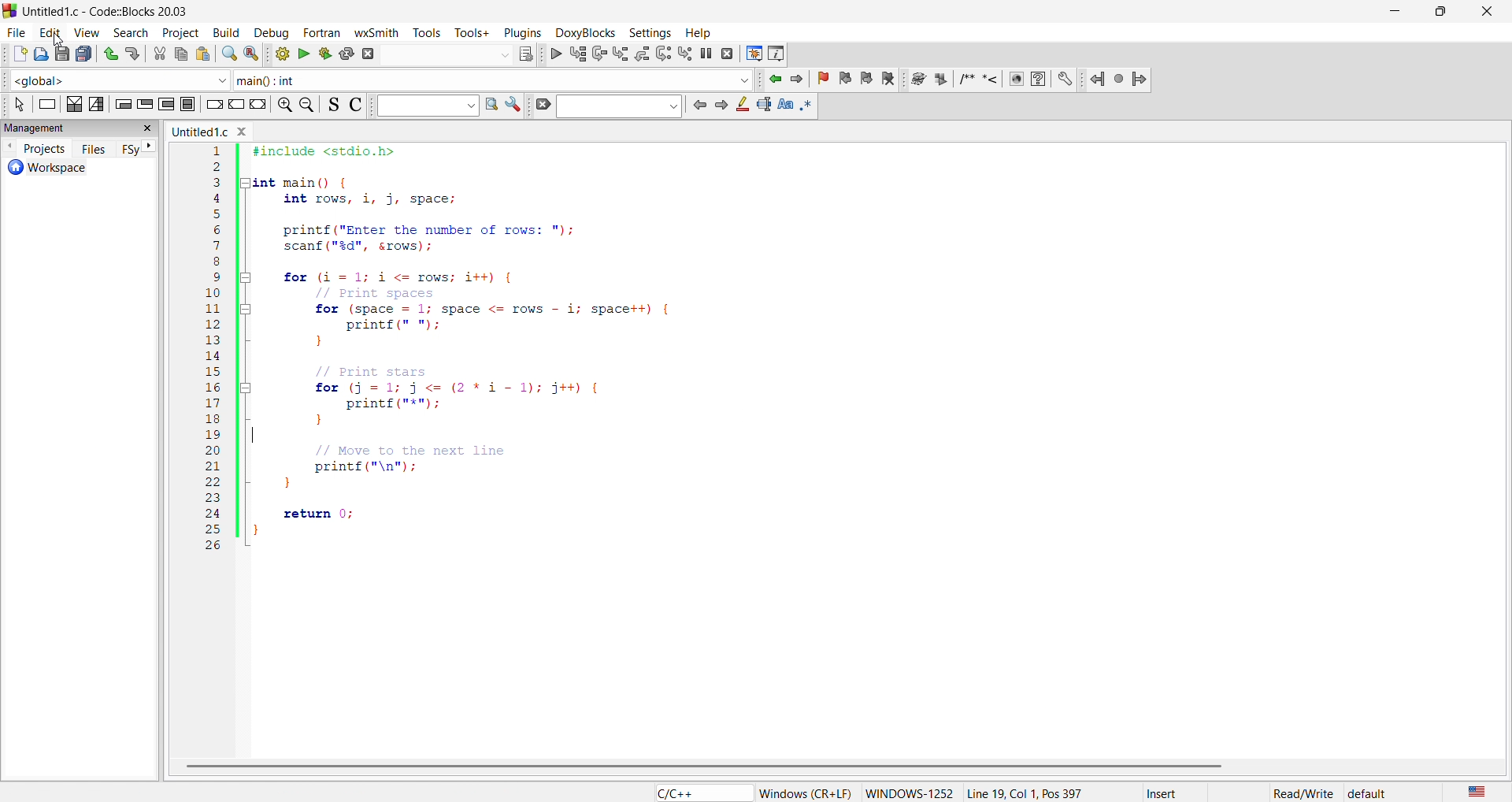 This screenshot has width=1512, height=802. I want to click on untitled1.c, so click(215, 132).